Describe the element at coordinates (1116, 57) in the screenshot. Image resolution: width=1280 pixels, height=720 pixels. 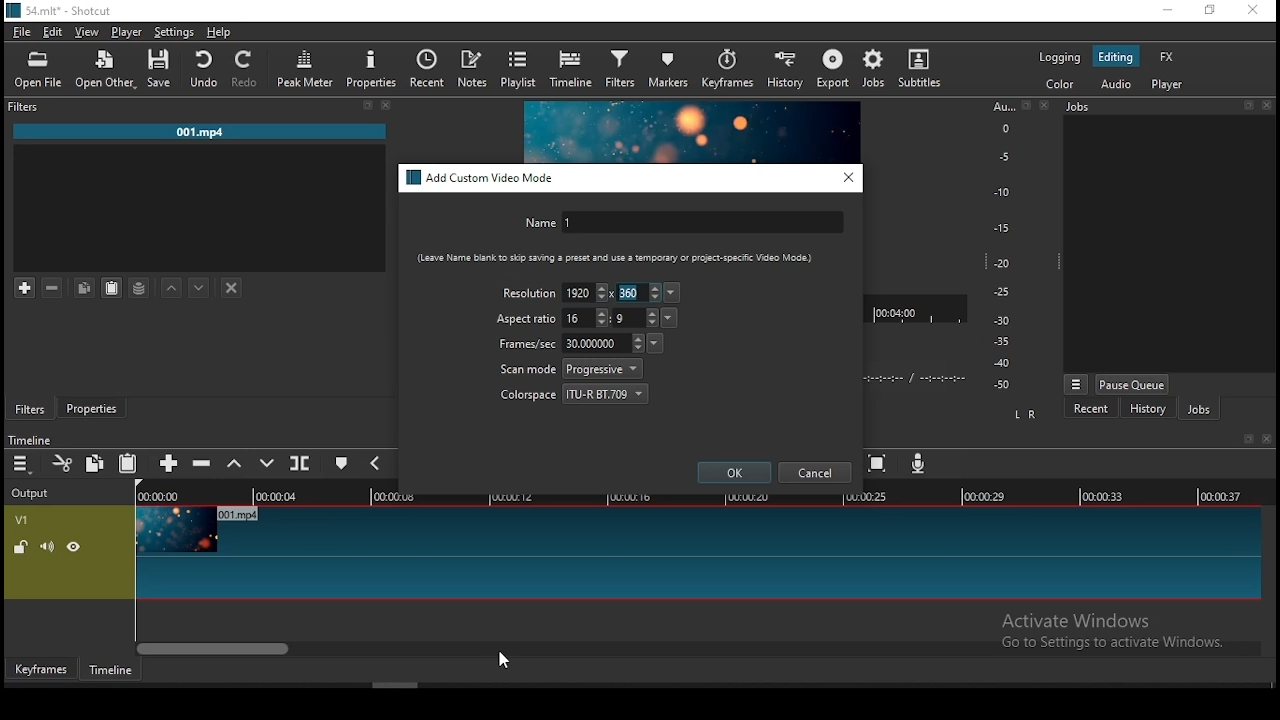
I see `editing` at that location.